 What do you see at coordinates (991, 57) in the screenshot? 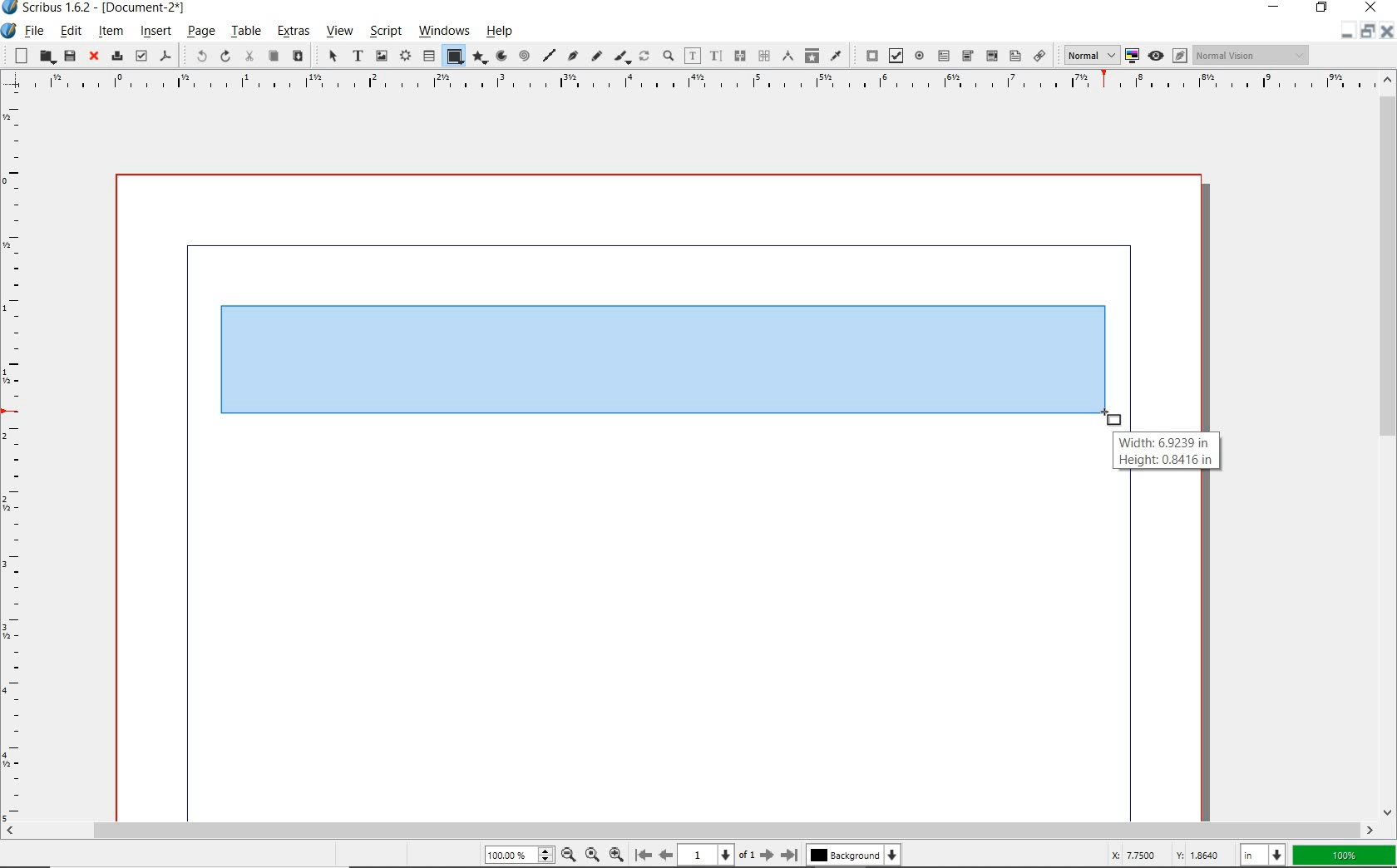
I see `pdf combo box` at bounding box center [991, 57].